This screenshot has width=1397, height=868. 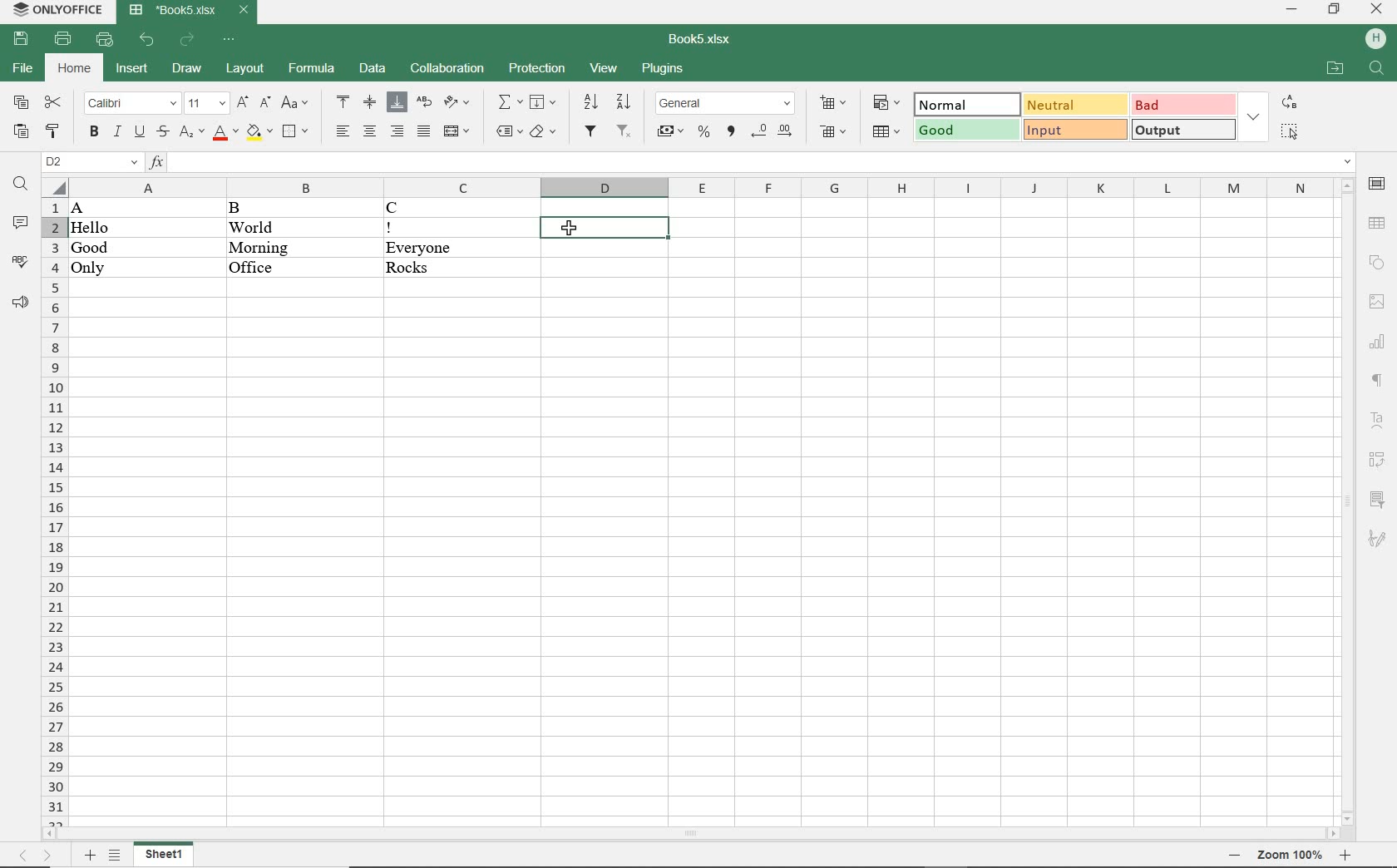 I want to click on FIND, so click(x=22, y=184).